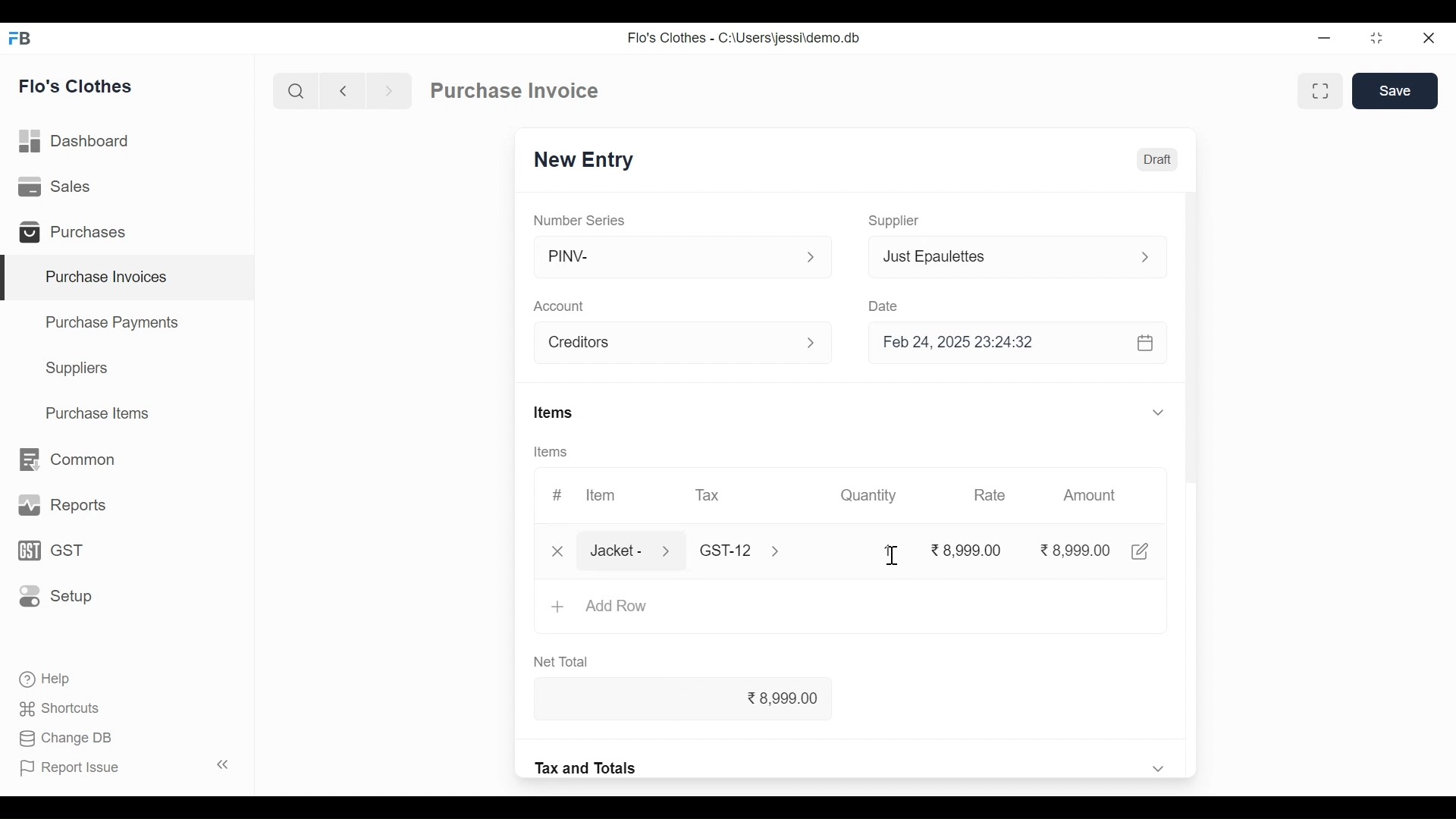 The height and width of the screenshot is (819, 1456). What do you see at coordinates (1395, 91) in the screenshot?
I see `Save` at bounding box center [1395, 91].